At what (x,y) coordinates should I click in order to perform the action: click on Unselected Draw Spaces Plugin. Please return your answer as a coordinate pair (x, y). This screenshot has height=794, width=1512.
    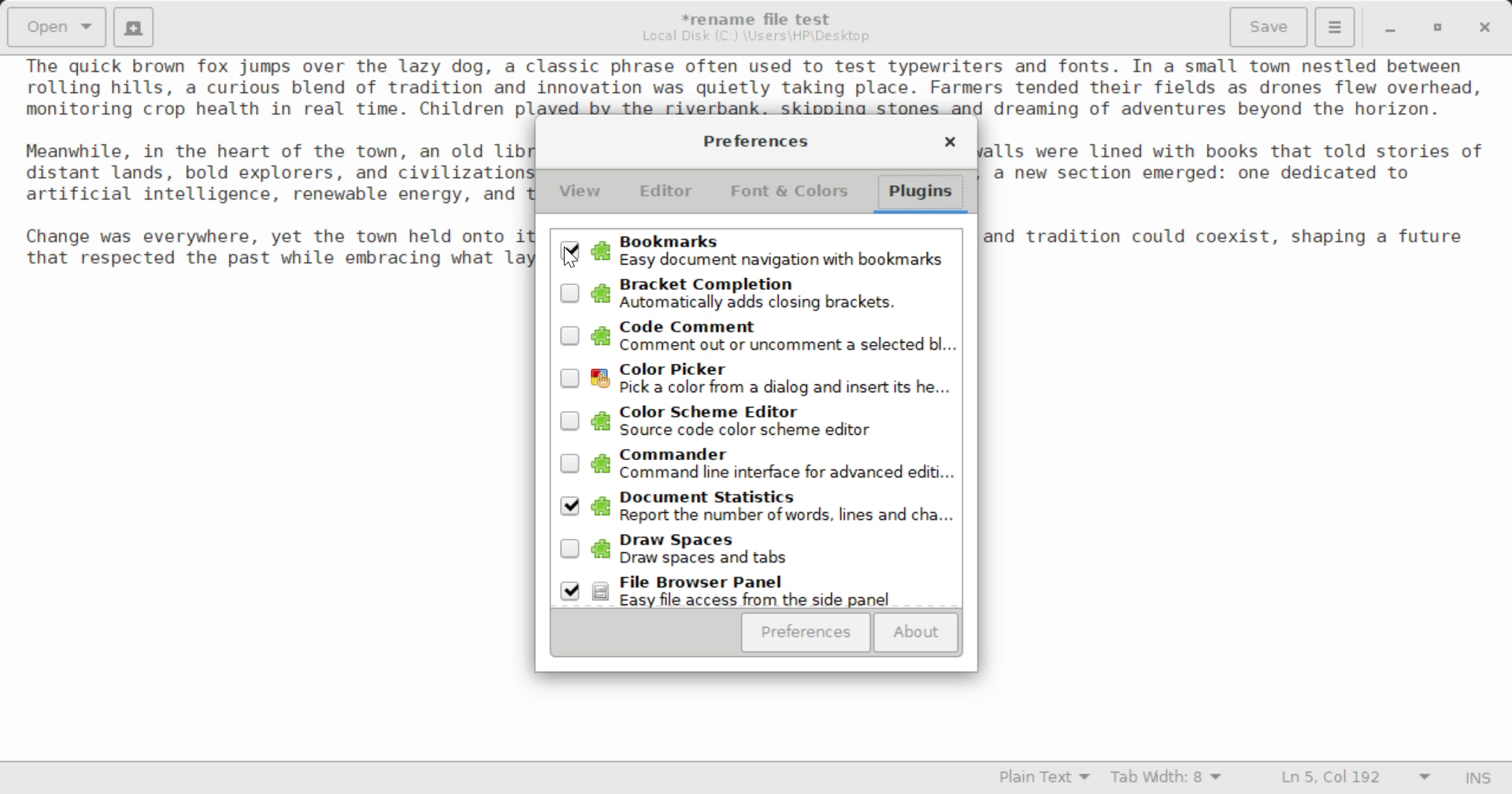
    Looking at the image, I should click on (758, 551).